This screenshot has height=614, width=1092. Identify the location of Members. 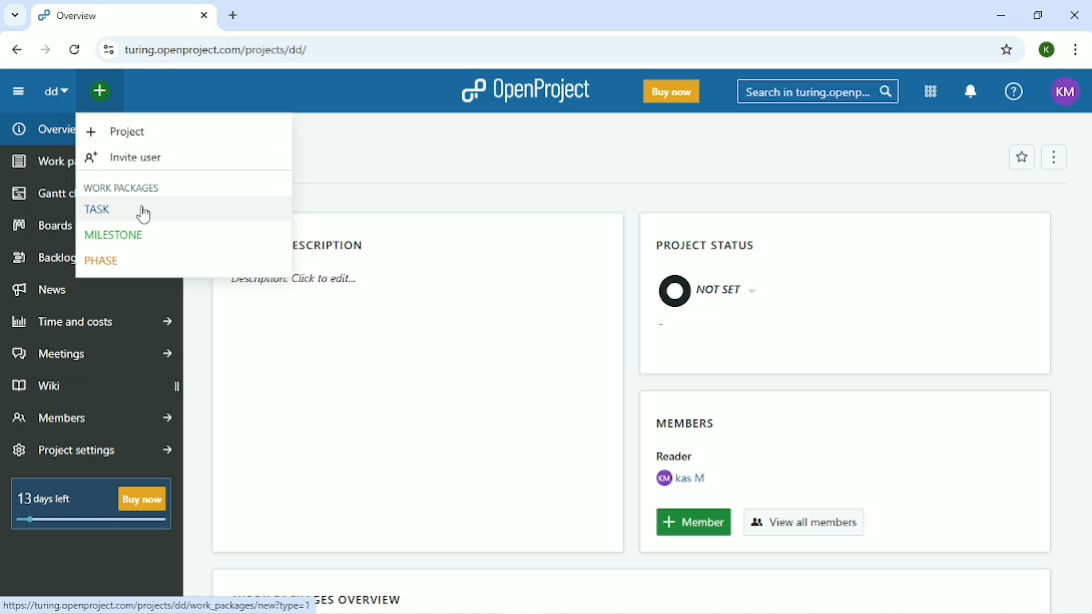
(89, 418).